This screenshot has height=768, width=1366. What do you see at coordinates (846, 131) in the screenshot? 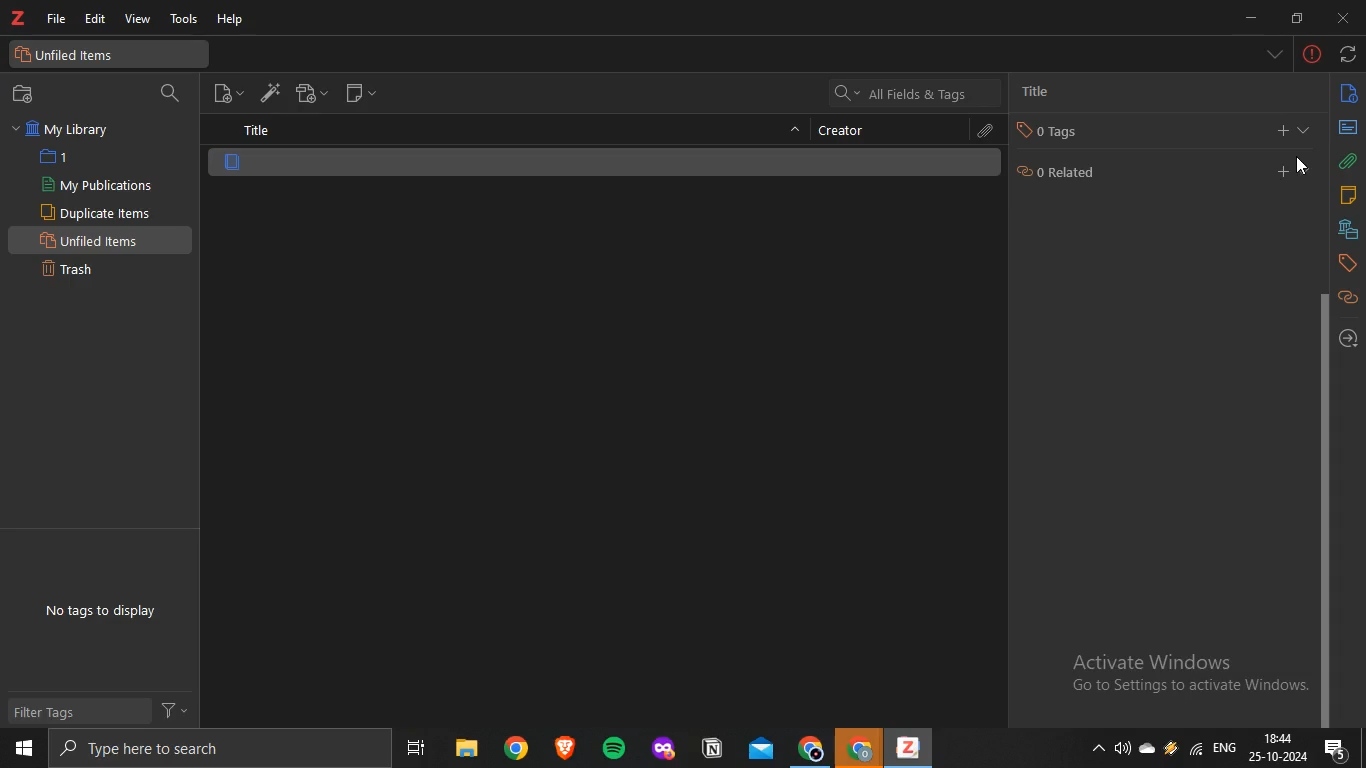
I see `creator` at bounding box center [846, 131].